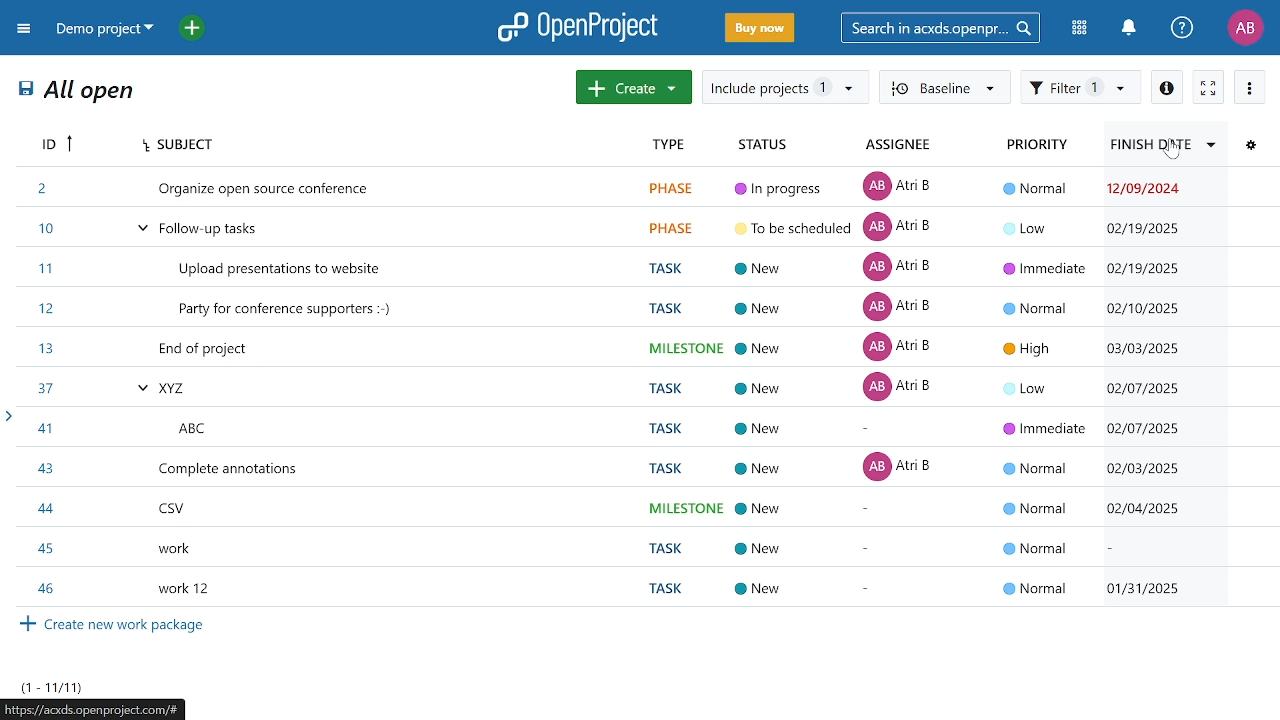 Image resolution: width=1280 pixels, height=720 pixels. I want to click on include project, so click(782, 87).